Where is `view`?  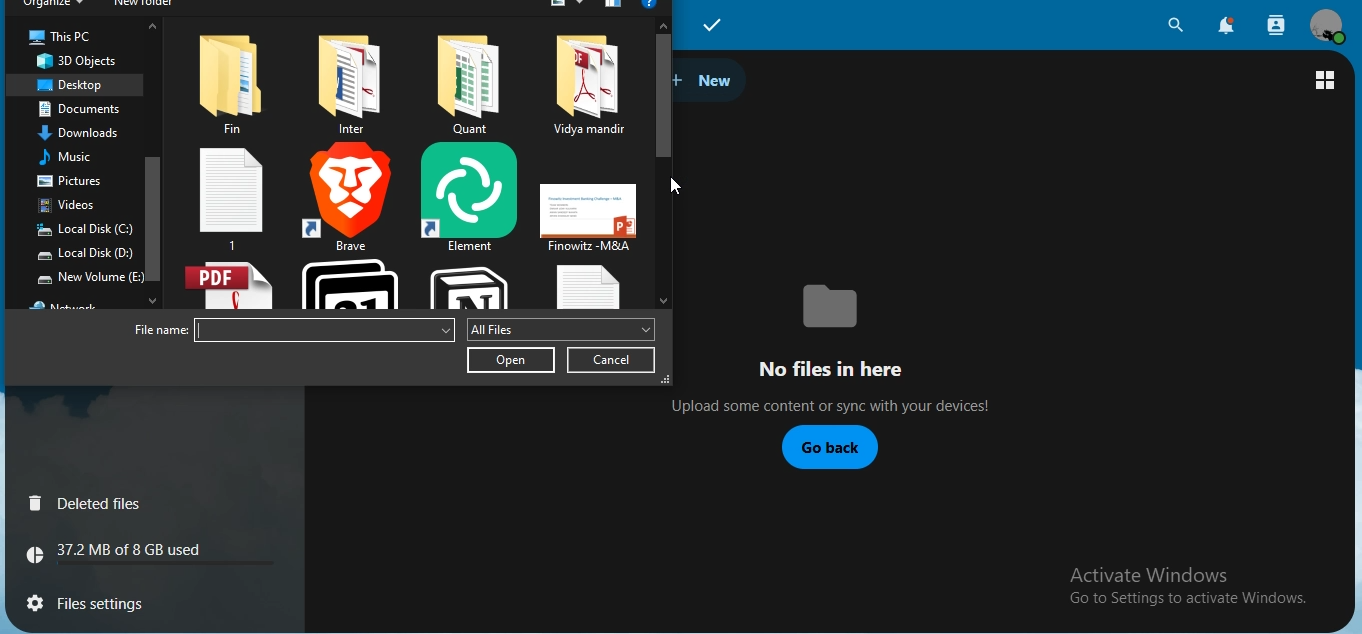 view is located at coordinates (1327, 80).